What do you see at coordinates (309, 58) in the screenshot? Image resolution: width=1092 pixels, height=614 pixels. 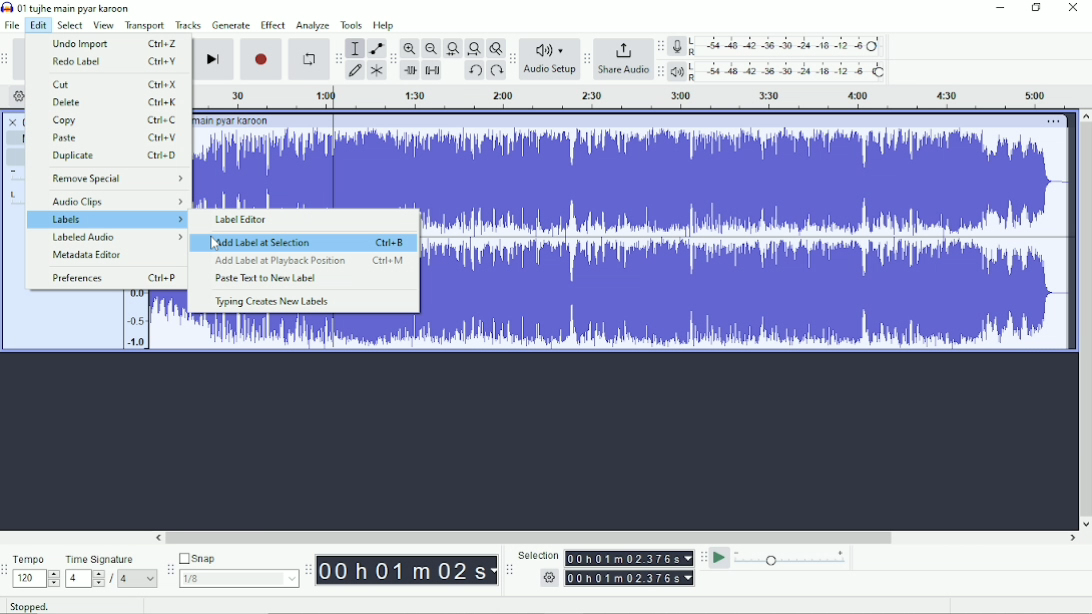 I see `Enable looping` at bounding box center [309, 58].